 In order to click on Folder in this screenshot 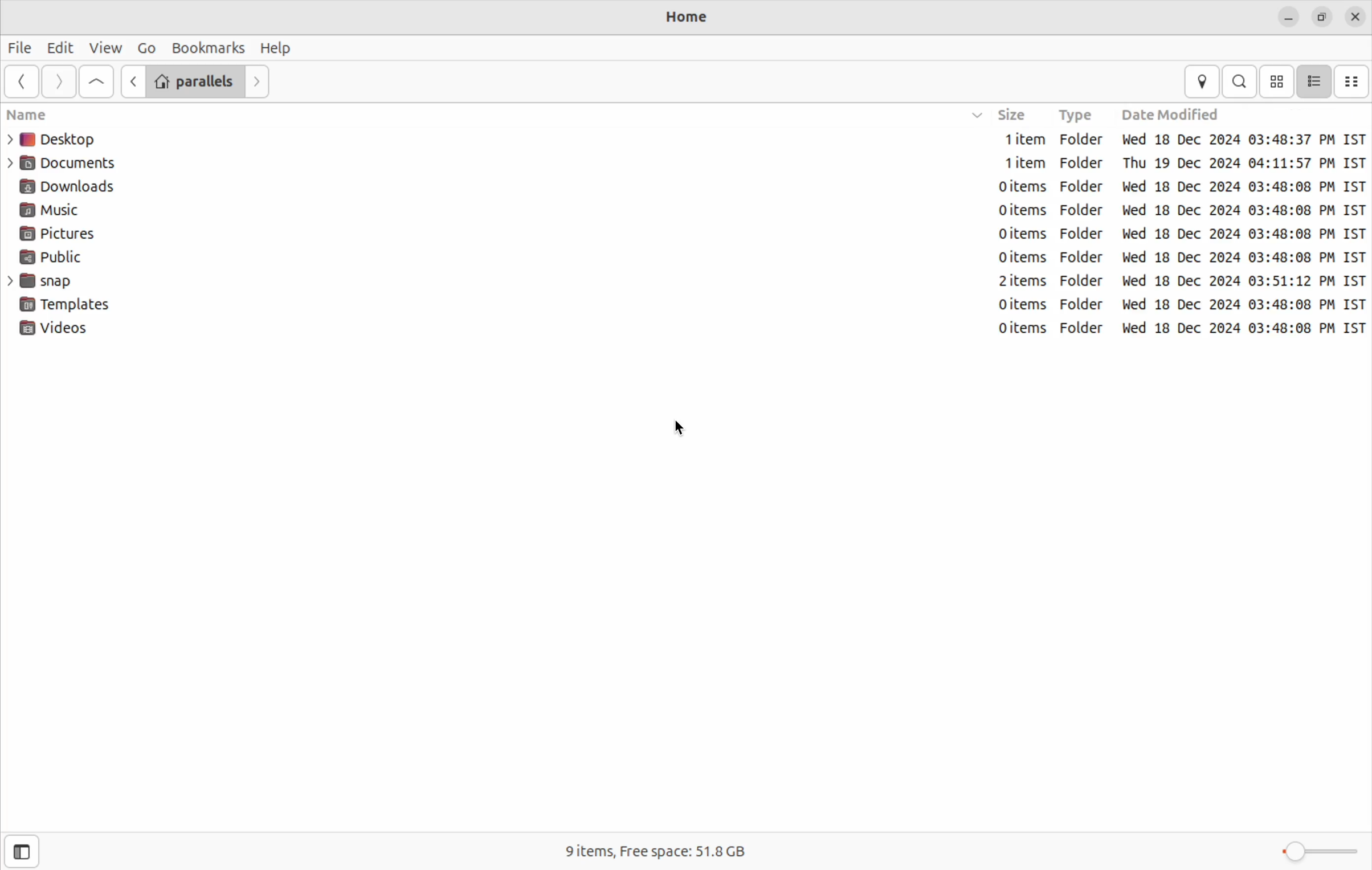, I will do `click(1083, 304)`.